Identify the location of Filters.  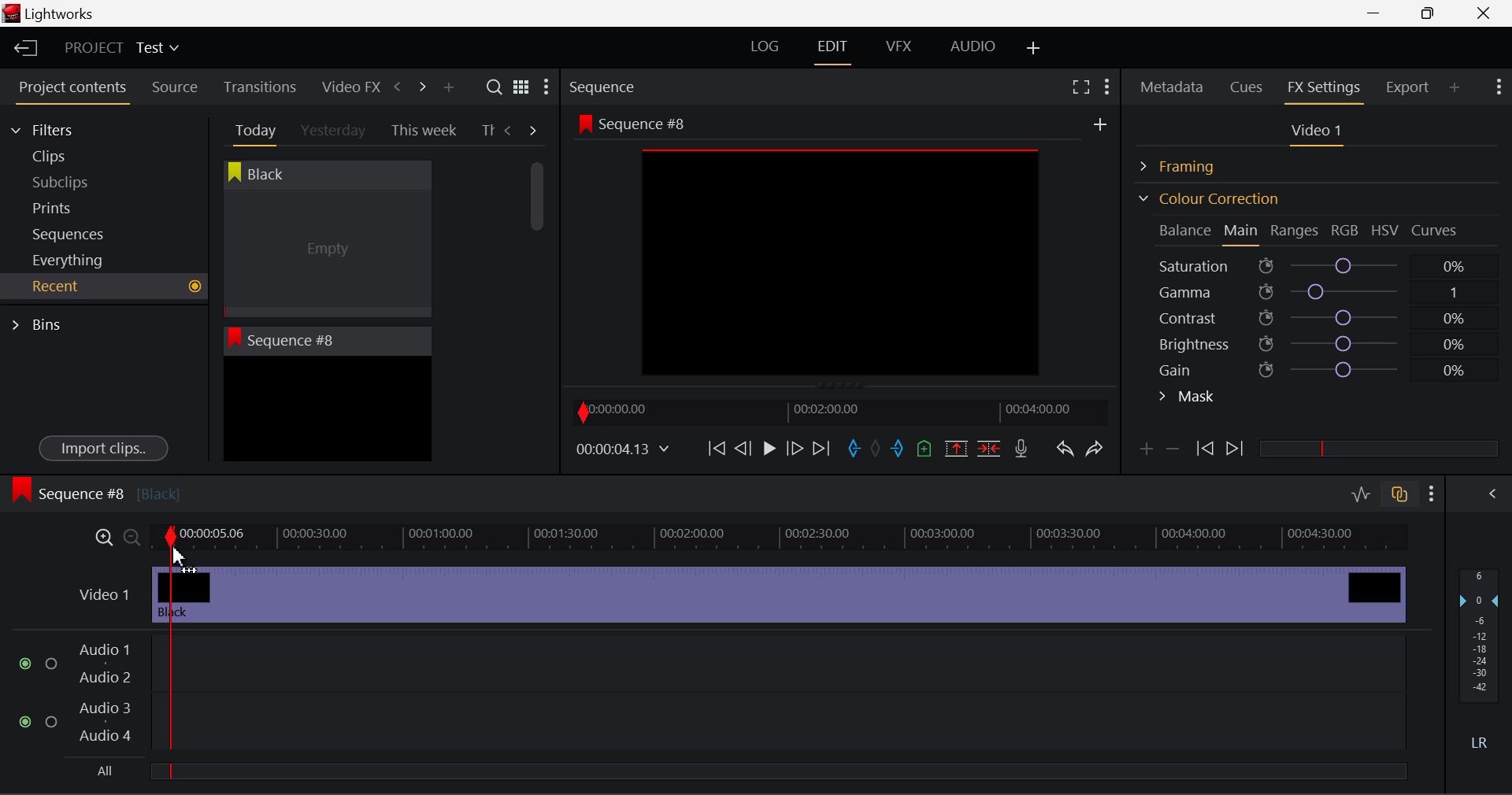
(57, 128).